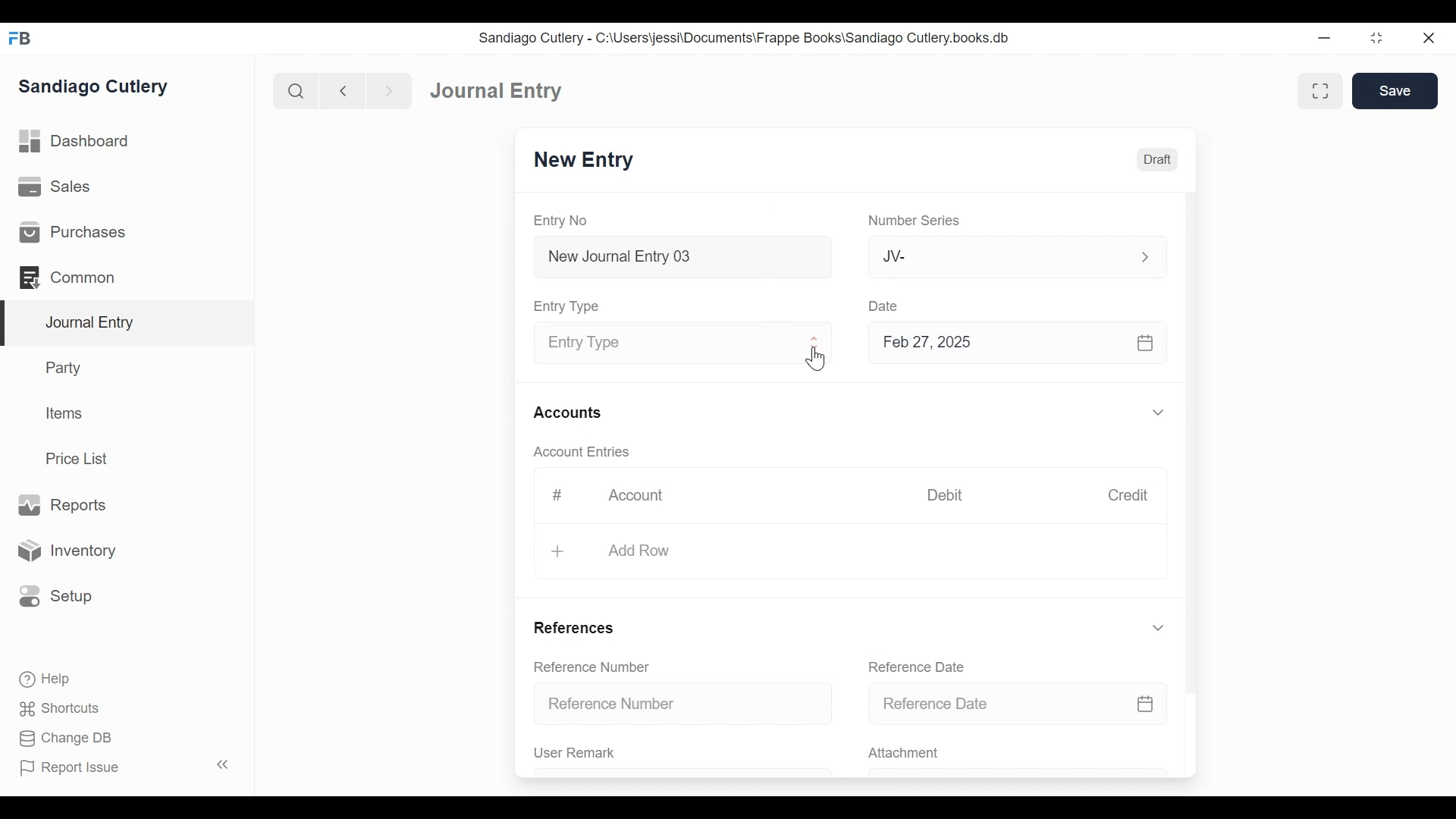  What do you see at coordinates (1015, 344) in the screenshot?
I see `Feb 27, 2025` at bounding box center [1015, 344].